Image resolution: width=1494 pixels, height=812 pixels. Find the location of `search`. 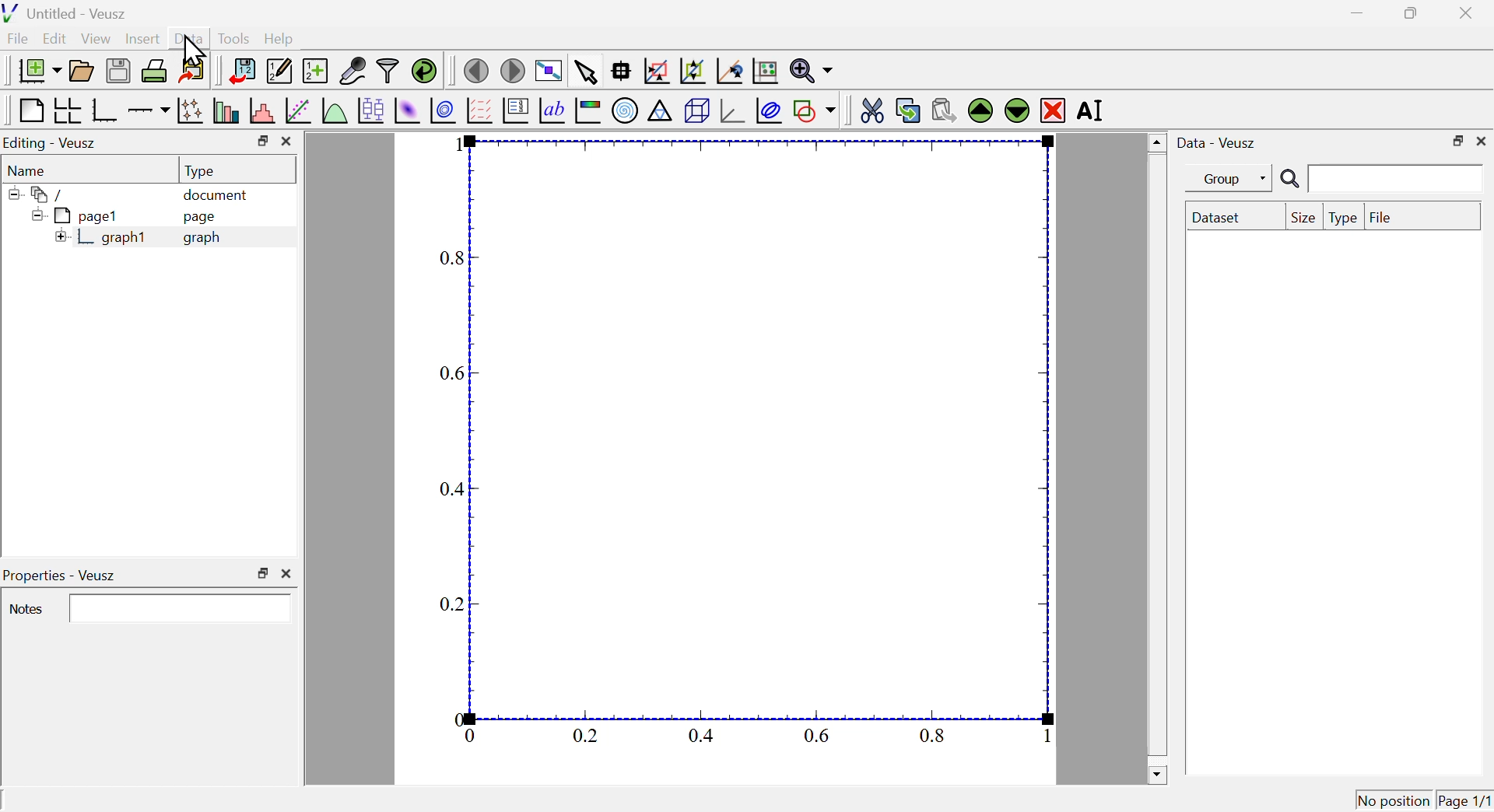

search is located at coordinates (1378, 180).